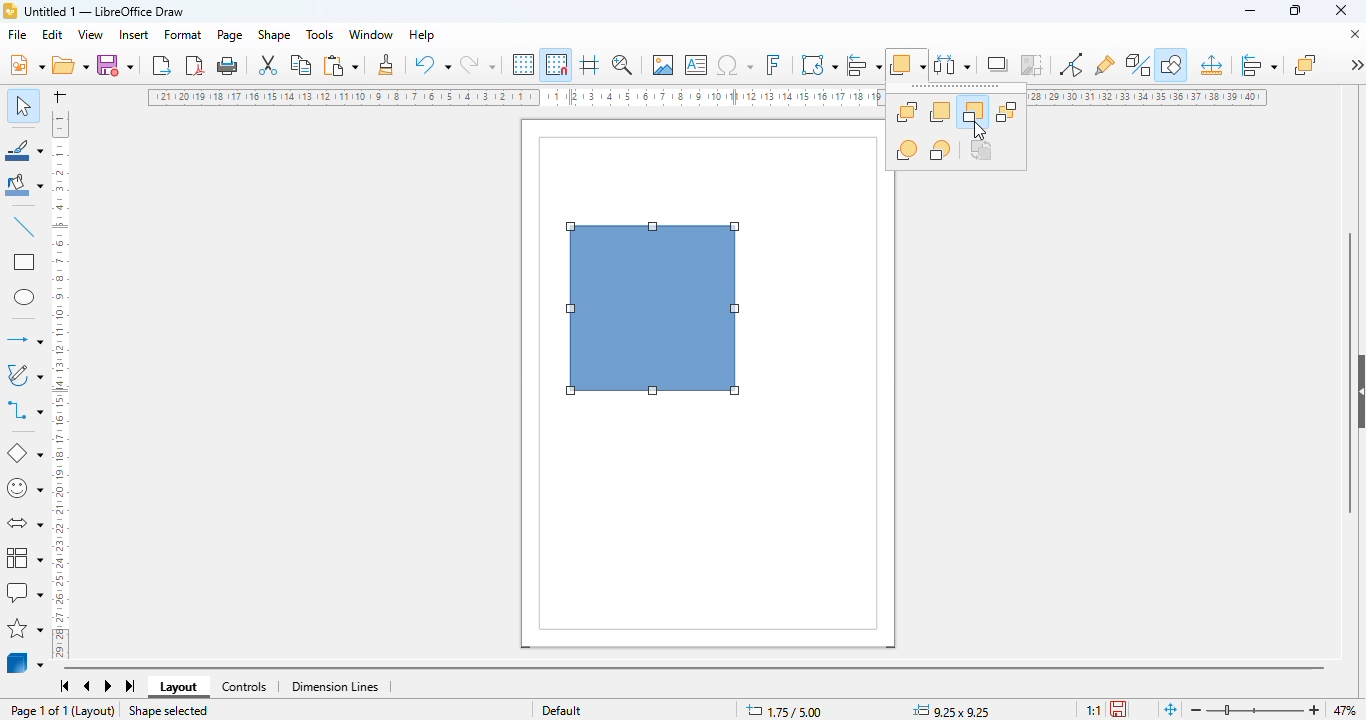  I want to click on Scroll to last sheet, so click(132, 686).